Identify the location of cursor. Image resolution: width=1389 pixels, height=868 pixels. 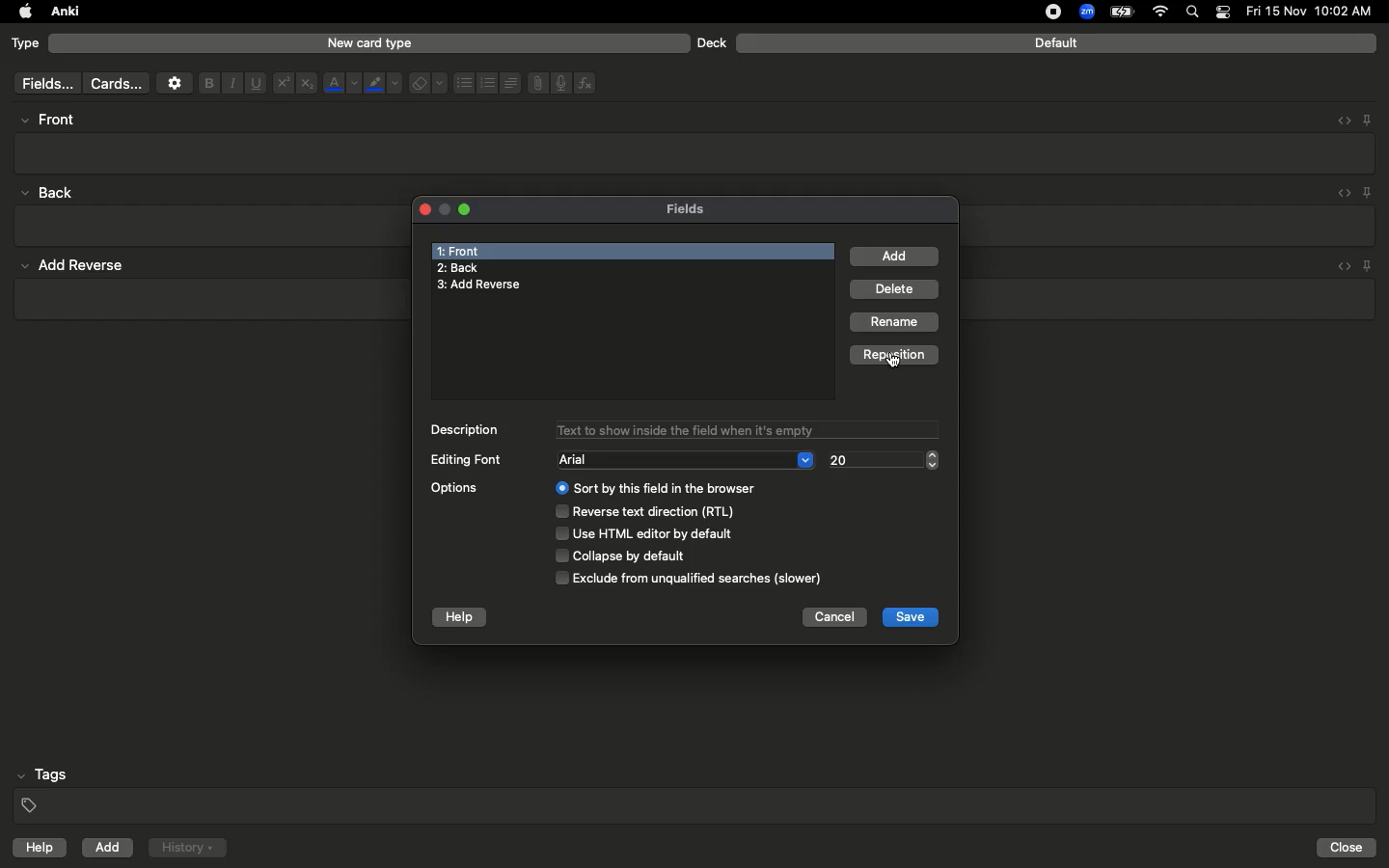
(897, 363).